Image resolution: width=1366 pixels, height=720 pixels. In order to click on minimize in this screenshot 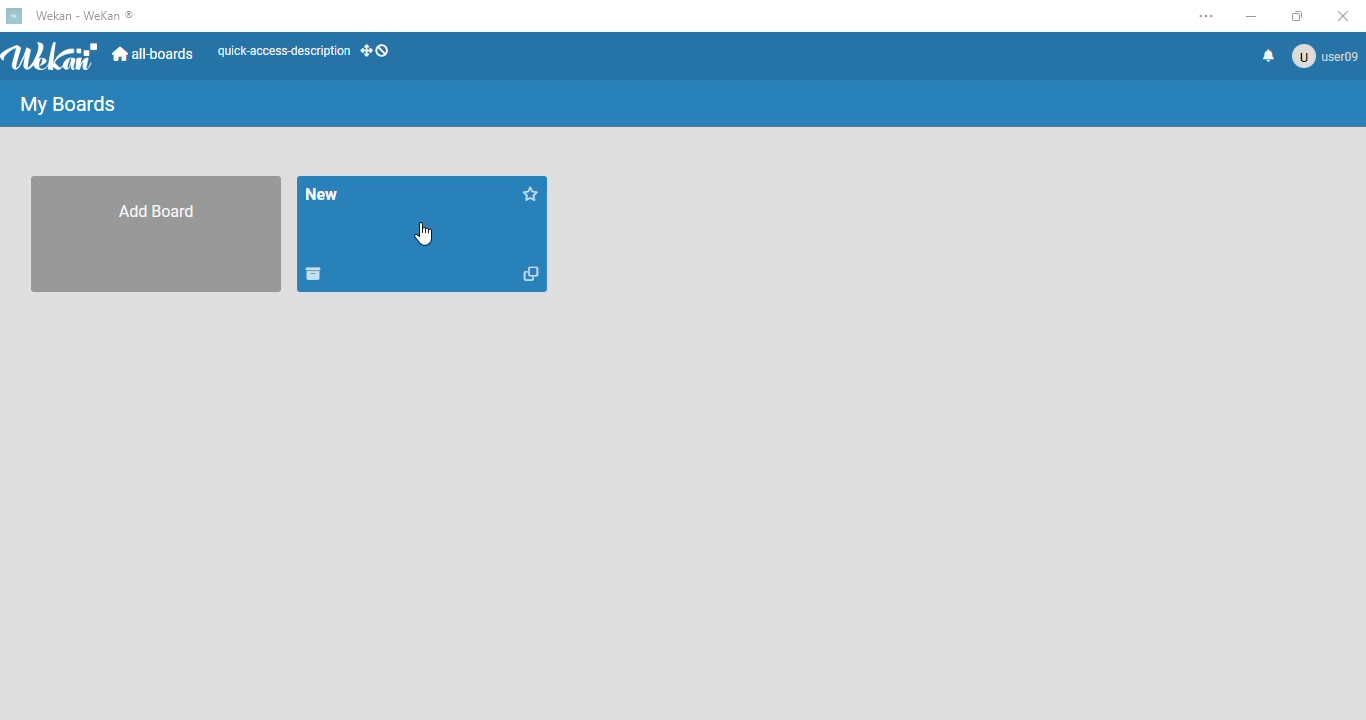, I will do `click(1251, 17)`.